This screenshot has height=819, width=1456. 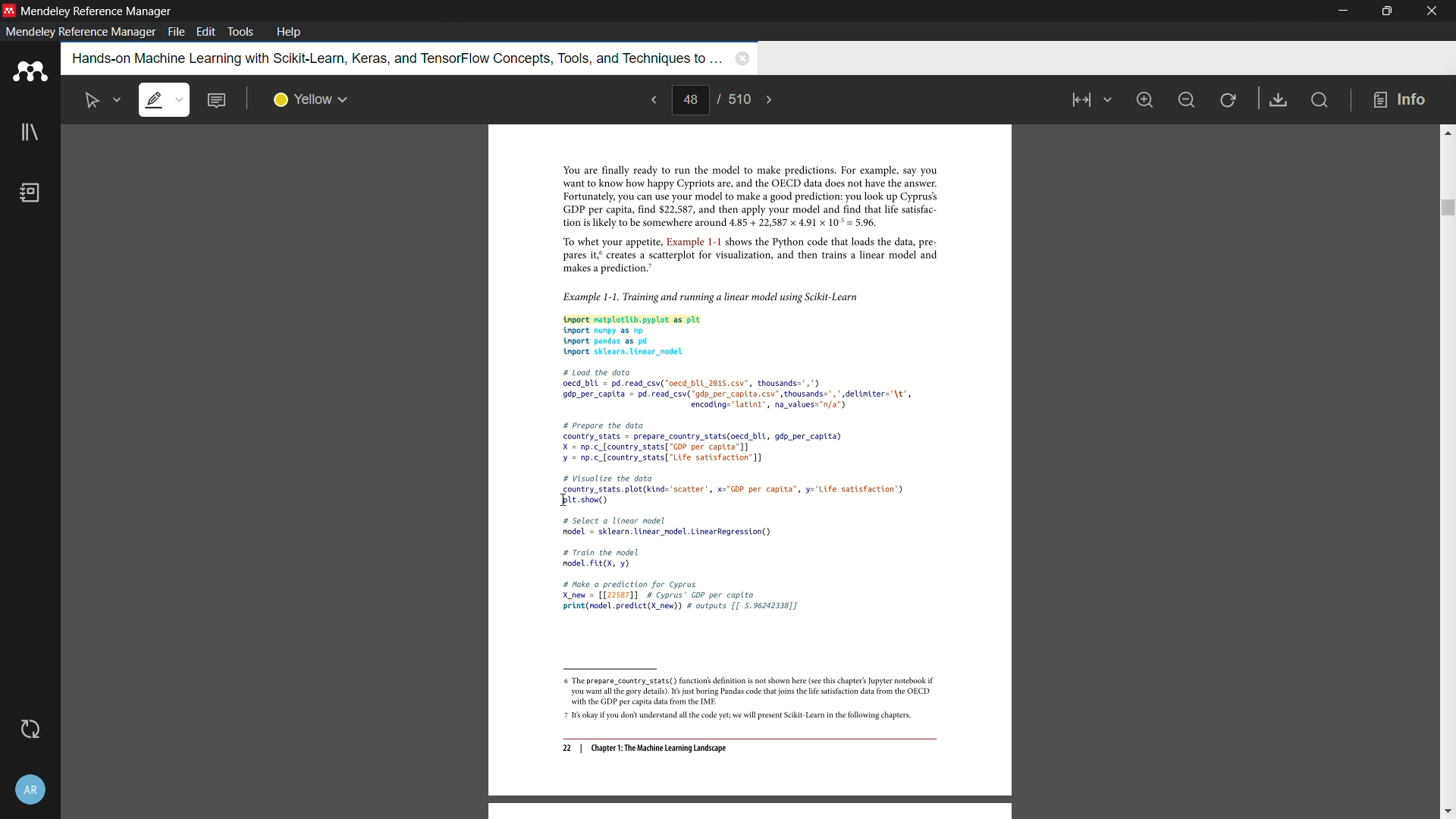 I want to click on select, so click(x=93, y=101).